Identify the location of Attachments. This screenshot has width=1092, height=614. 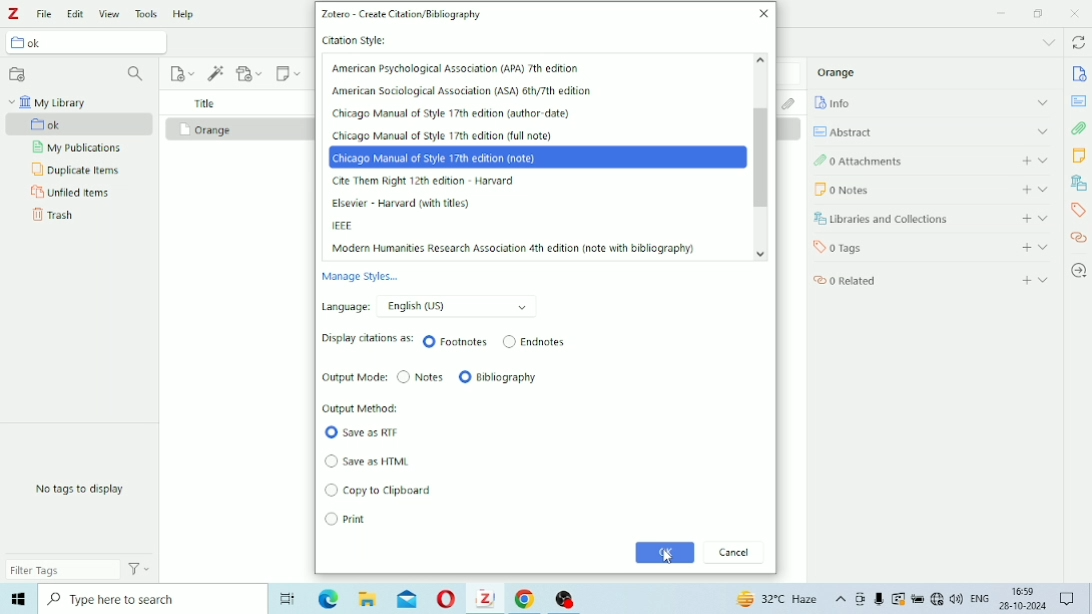
(791, 103).